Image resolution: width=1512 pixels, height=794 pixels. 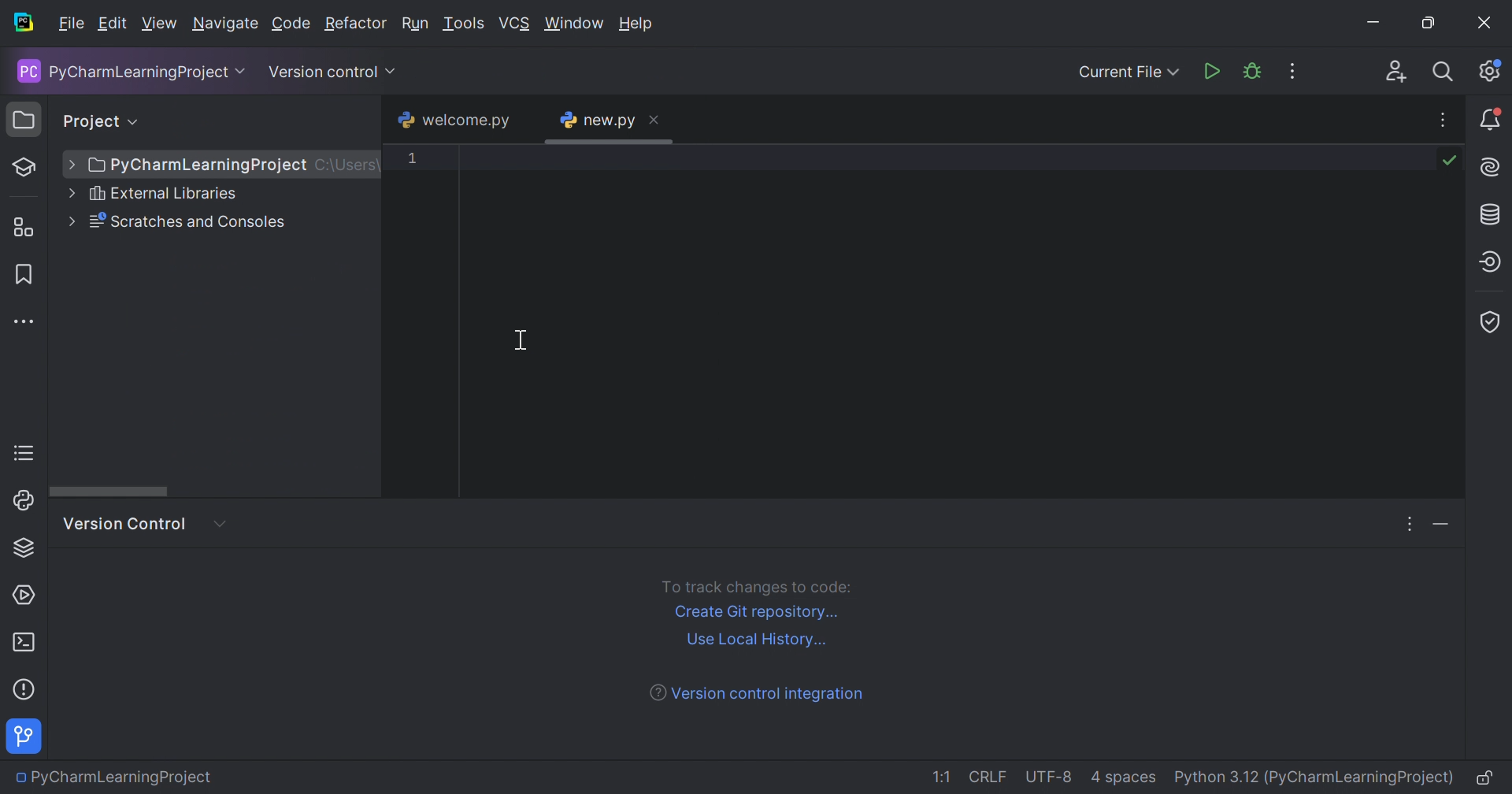 What do you see at coordinates (69, 220) in the screenshot?
I see `Drop down` at bounding box center [69, 220].